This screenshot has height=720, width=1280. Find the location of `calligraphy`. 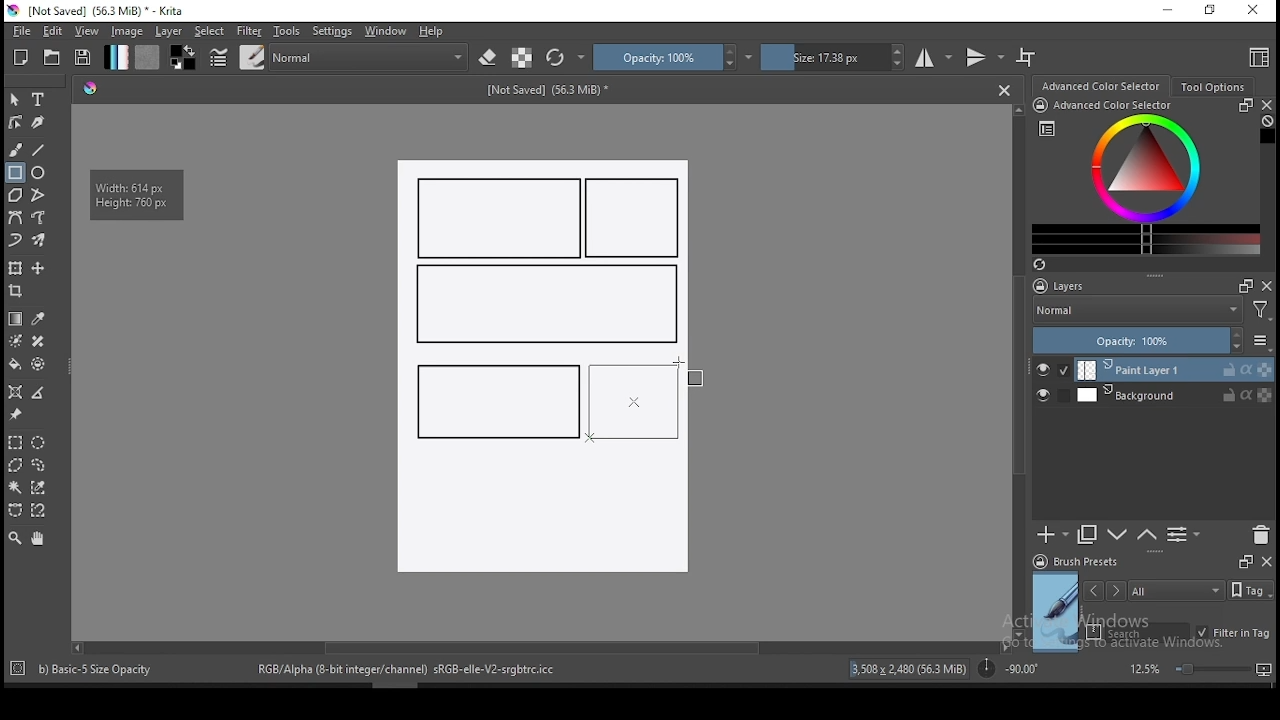

calligraphy is located at coordinates (39, 121).